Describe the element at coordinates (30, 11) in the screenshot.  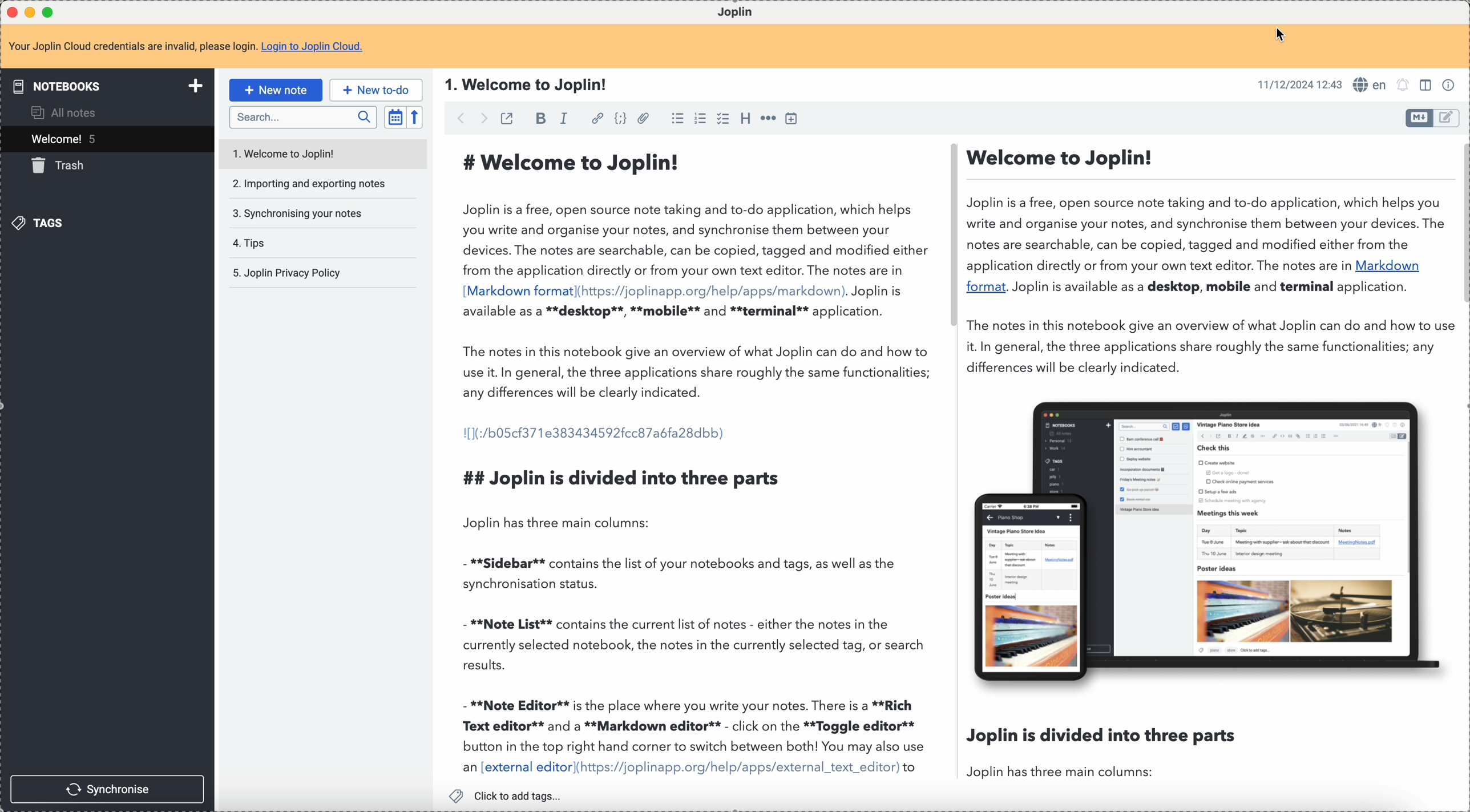
I see `minimize` at that location.